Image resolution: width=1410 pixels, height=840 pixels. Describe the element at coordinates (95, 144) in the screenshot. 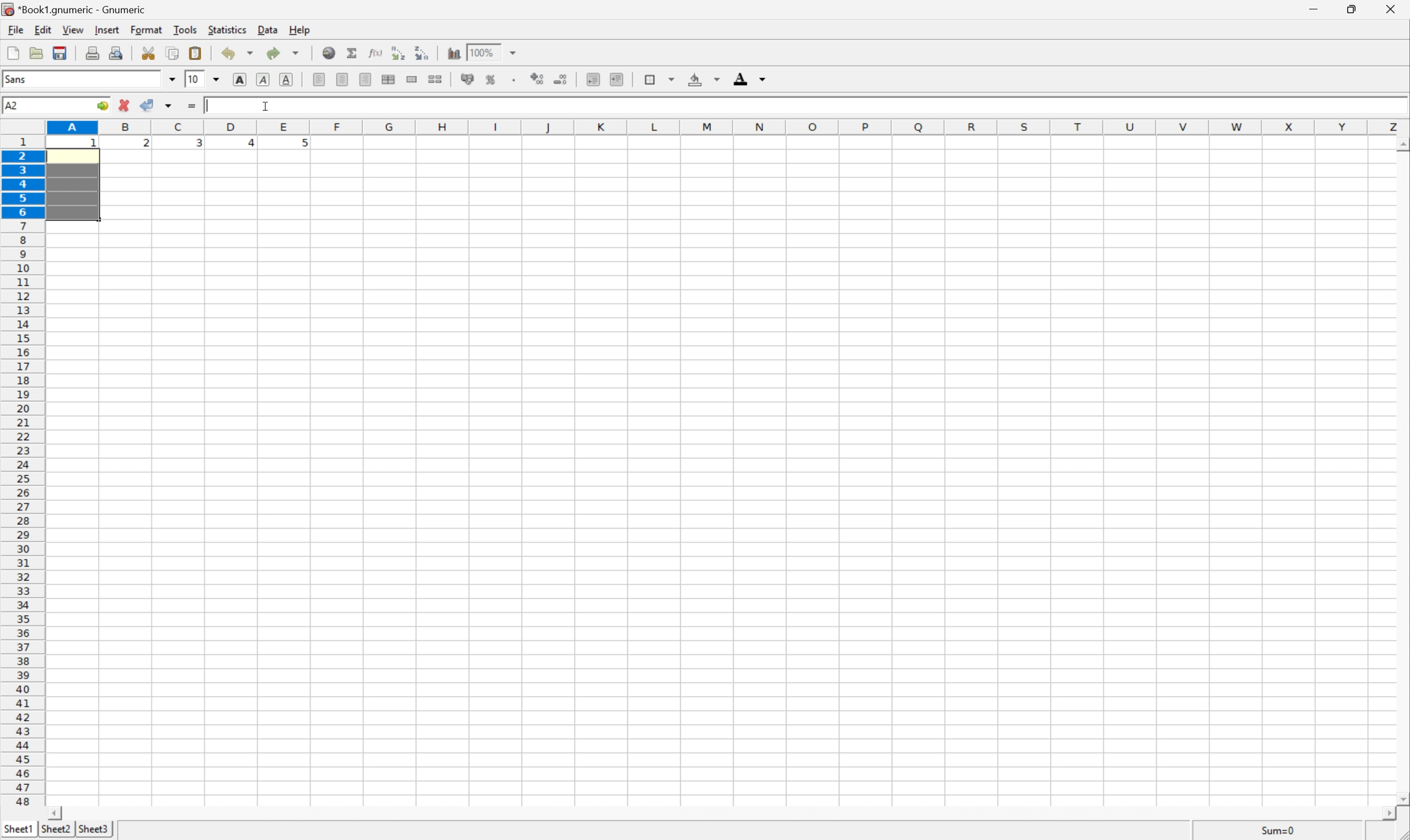

I see `1` at that location.